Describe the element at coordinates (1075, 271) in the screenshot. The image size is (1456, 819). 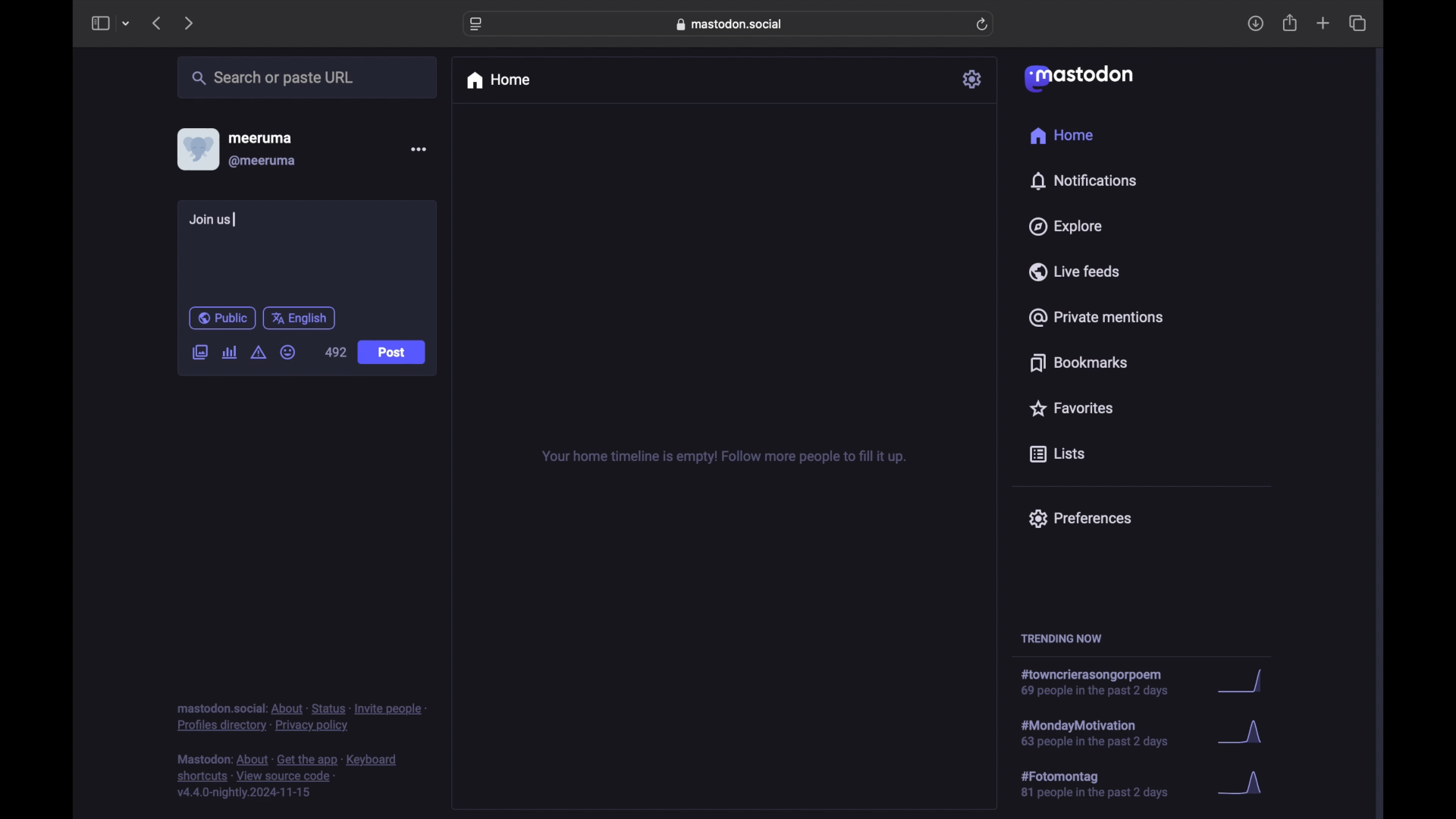
I see `live feeds` at that location.